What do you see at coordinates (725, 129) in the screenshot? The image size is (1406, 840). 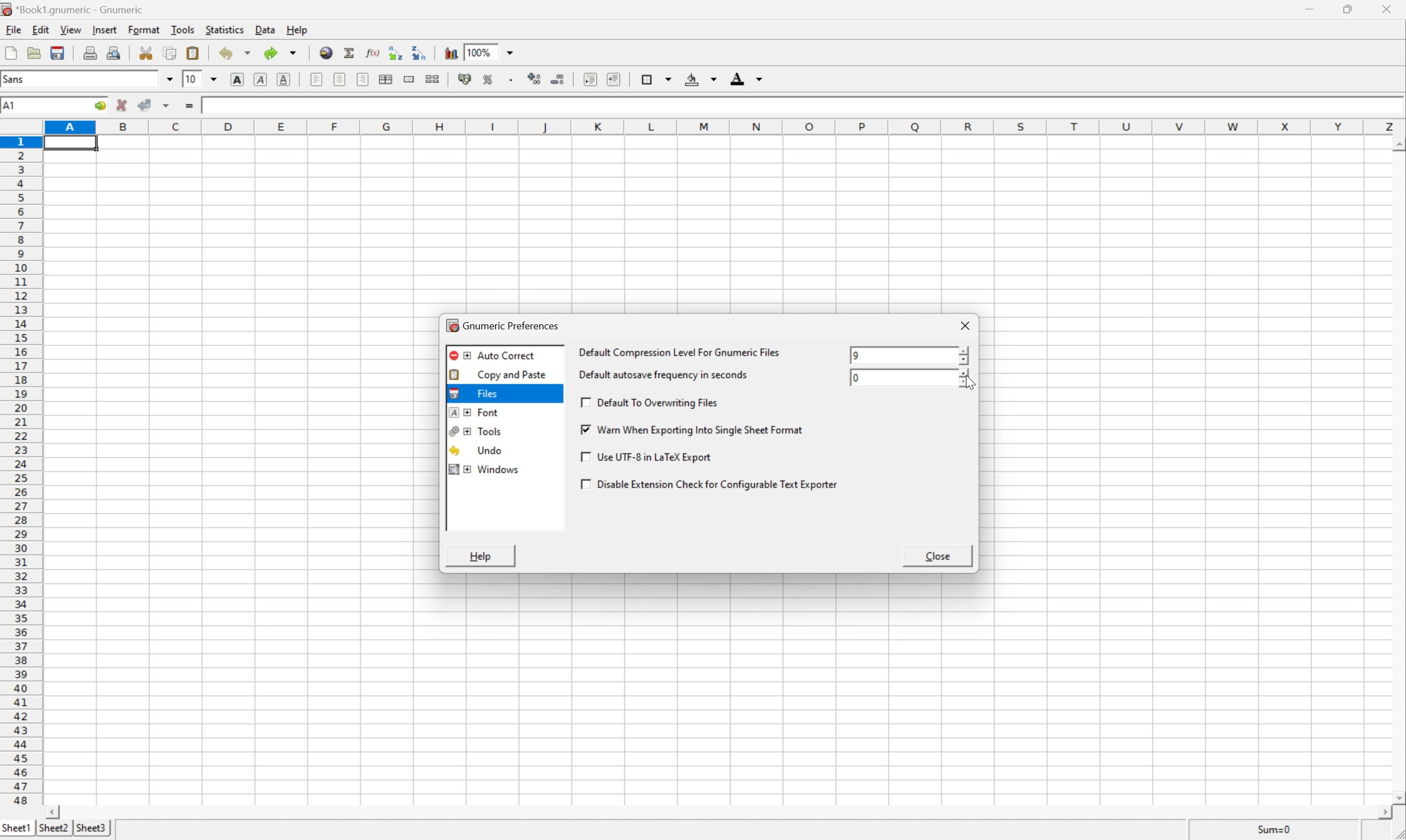 I see `column names` at bounding box center [725, 129].